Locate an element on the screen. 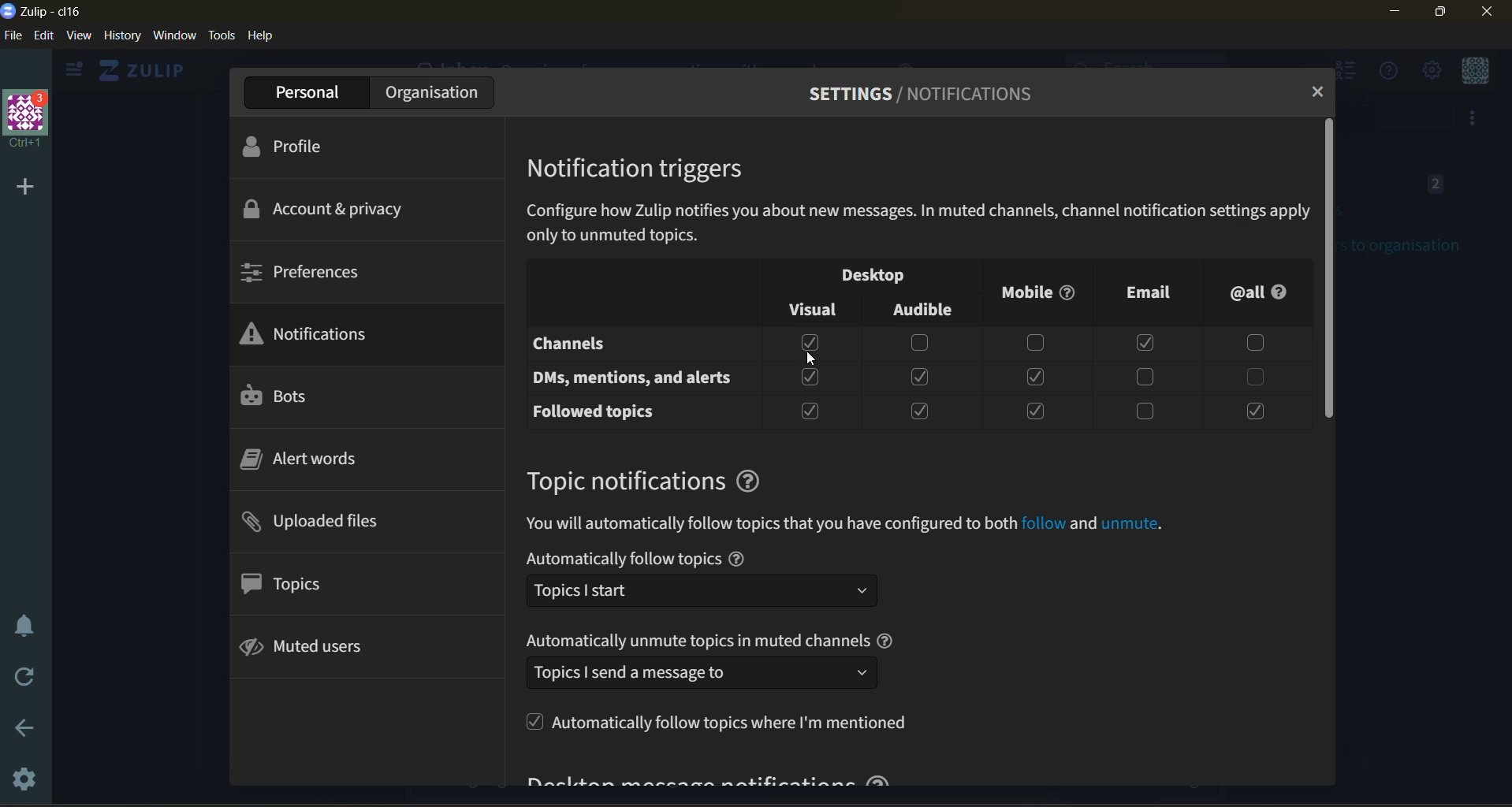 This screenshot has height=807, width=1512. checkbox is located at coordinates (1034, 342).